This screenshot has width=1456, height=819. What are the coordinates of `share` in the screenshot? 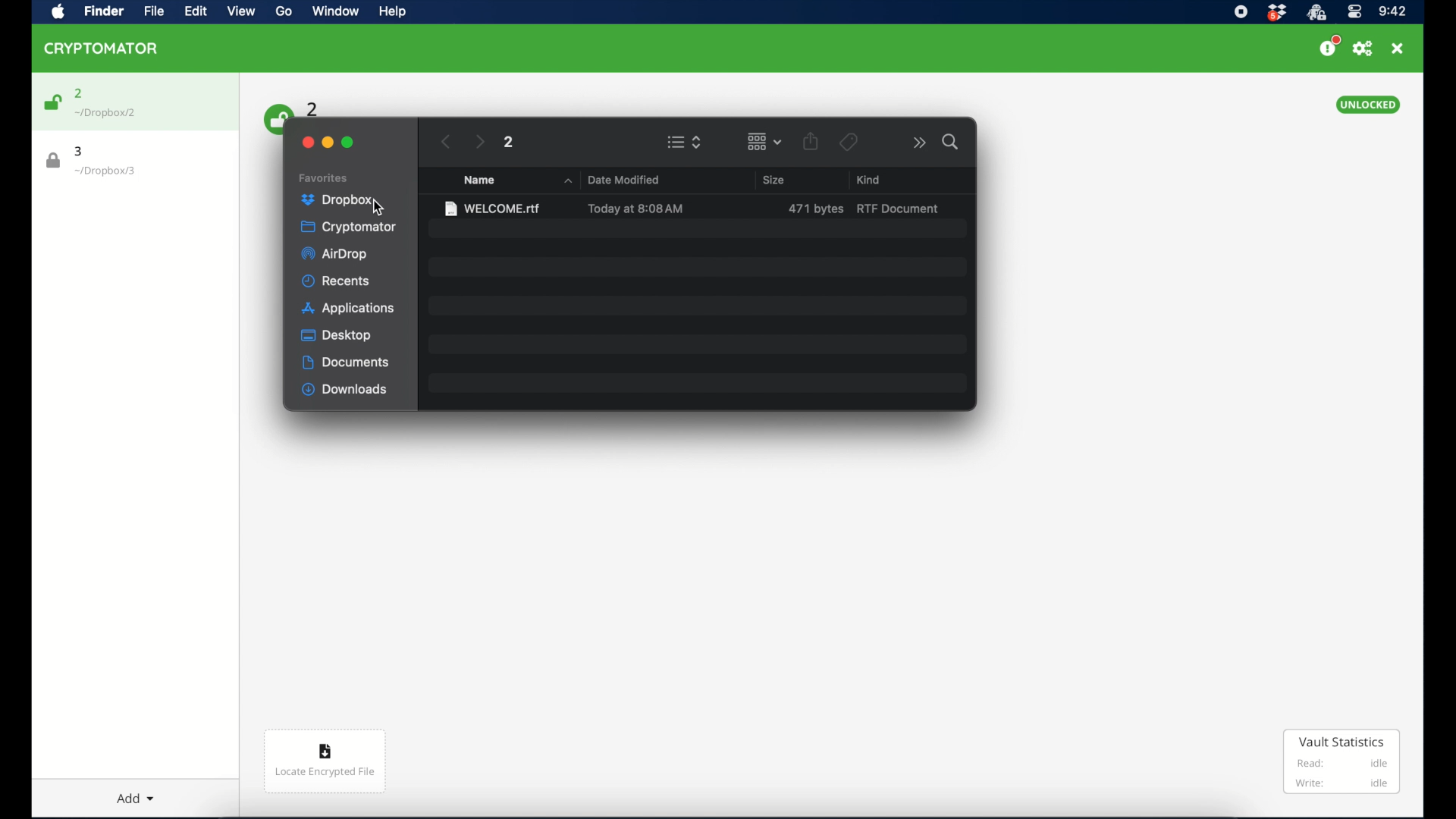 It's located at (811, 141).